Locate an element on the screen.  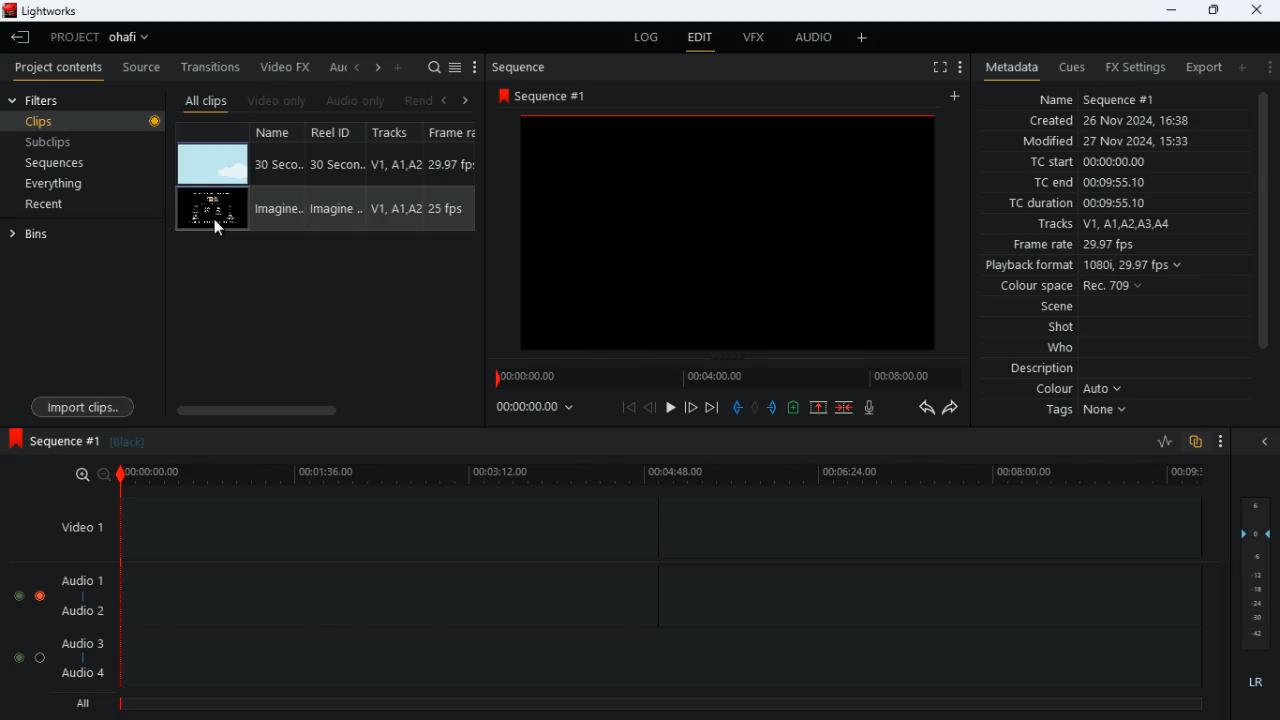
colour is located at coordinates (1076, 391).